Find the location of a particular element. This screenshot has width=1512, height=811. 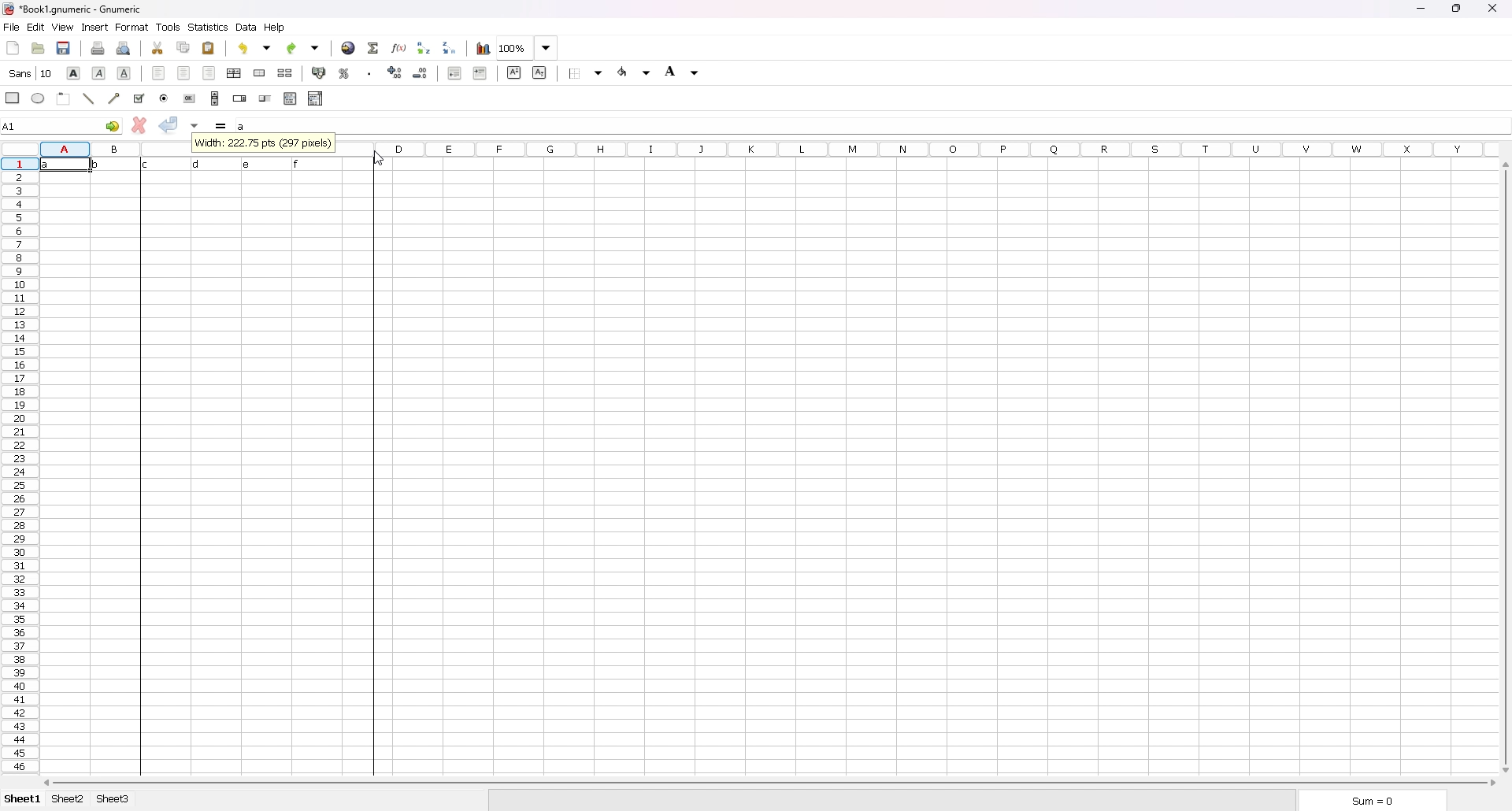

 is located at coordinates (919, 149).